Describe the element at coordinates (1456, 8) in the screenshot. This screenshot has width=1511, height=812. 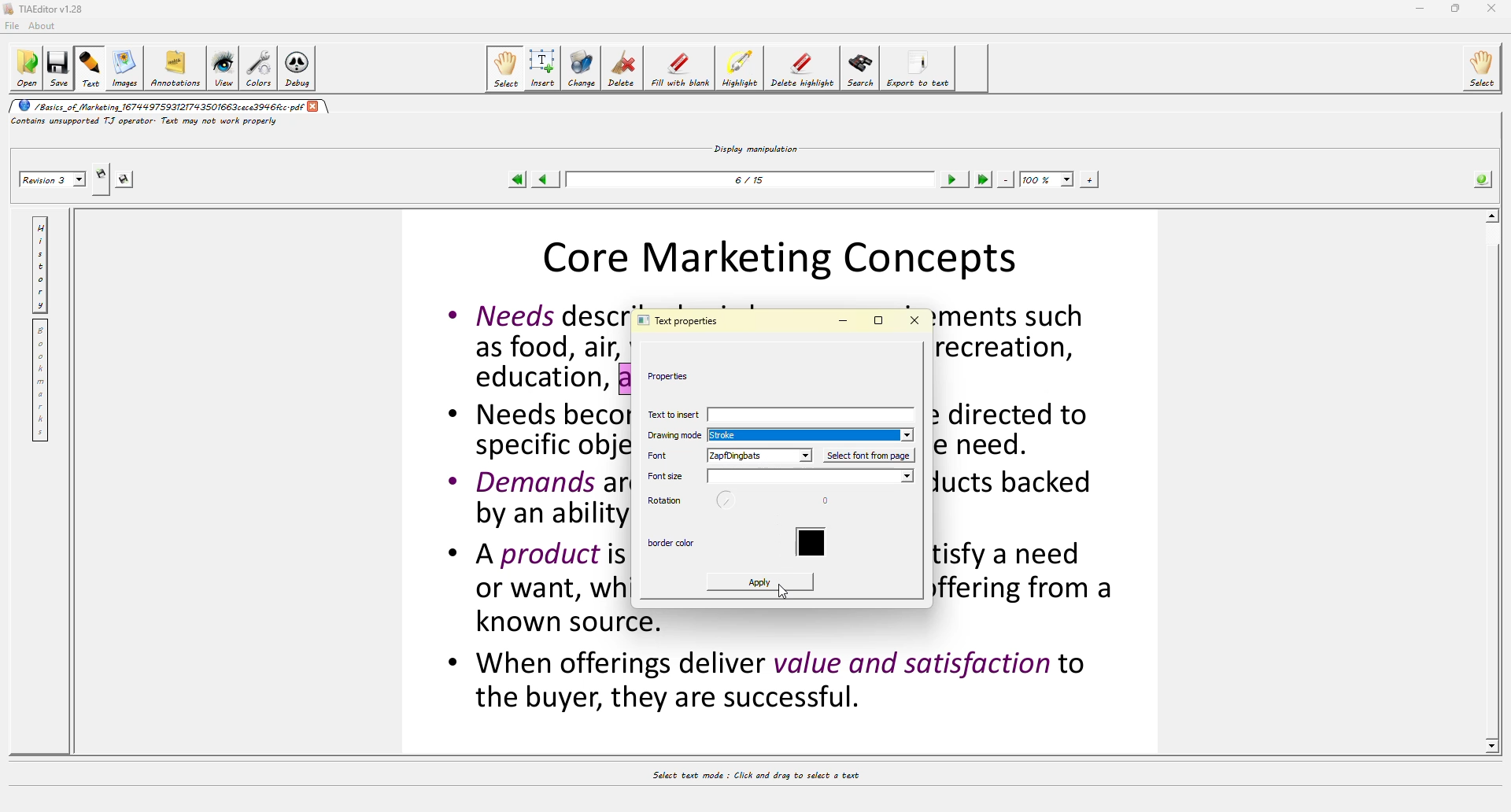
I see `maximize` at that location.